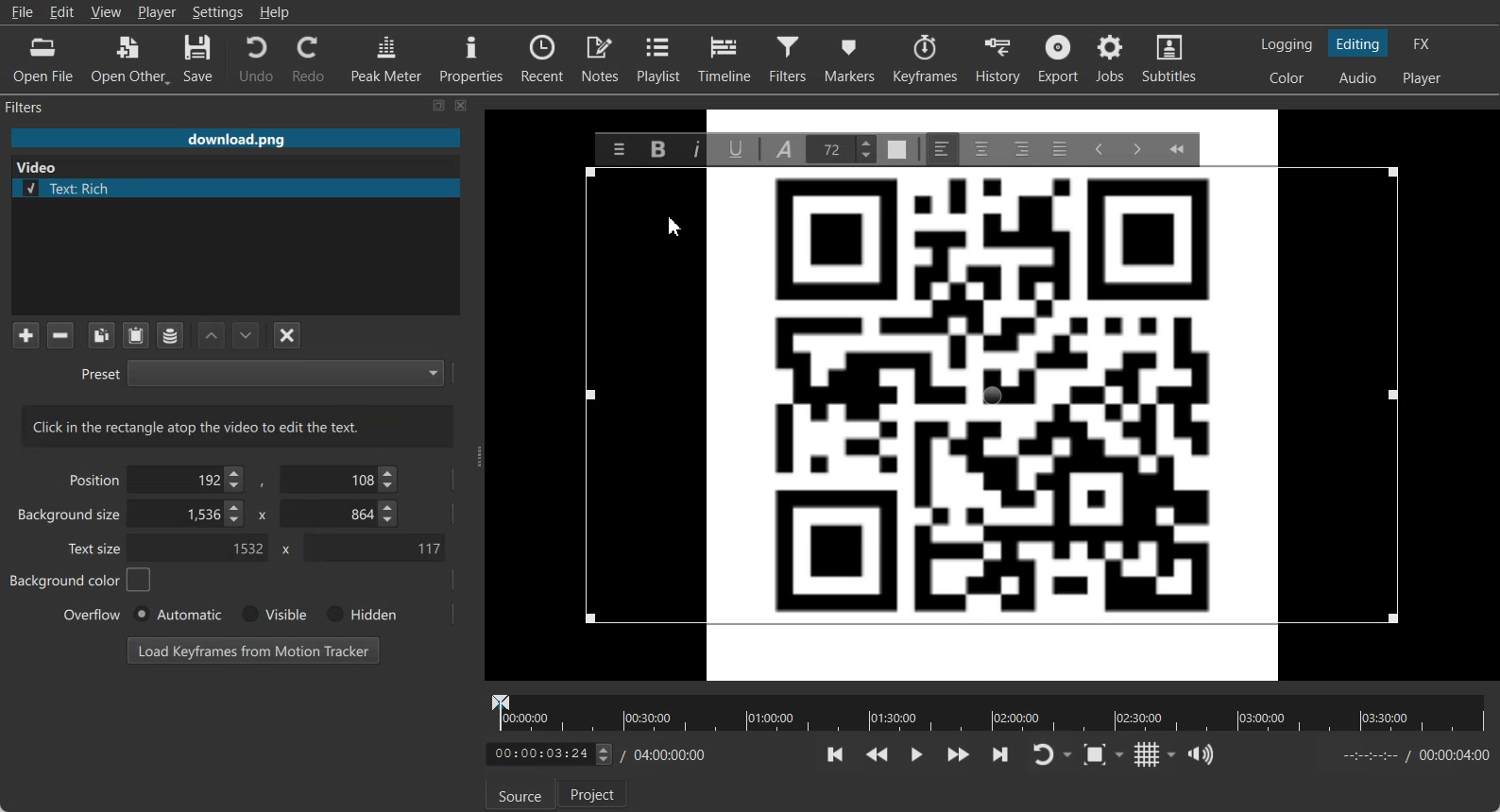 The height and width of the screenshot is (812, 1500). I want to click on Filters, so click(791, 58).